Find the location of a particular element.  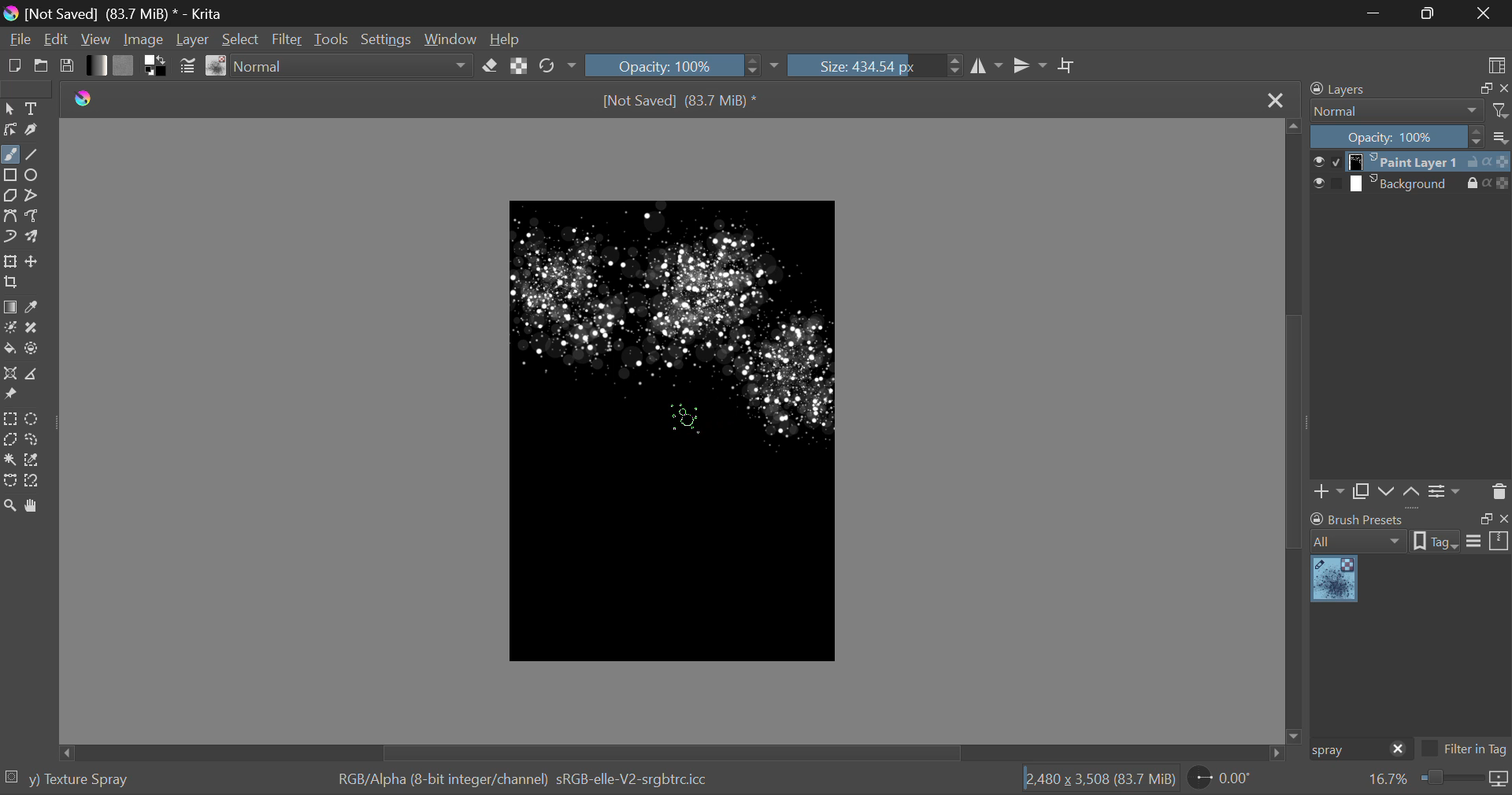

Multibrush is located at coordinates (32, 235).